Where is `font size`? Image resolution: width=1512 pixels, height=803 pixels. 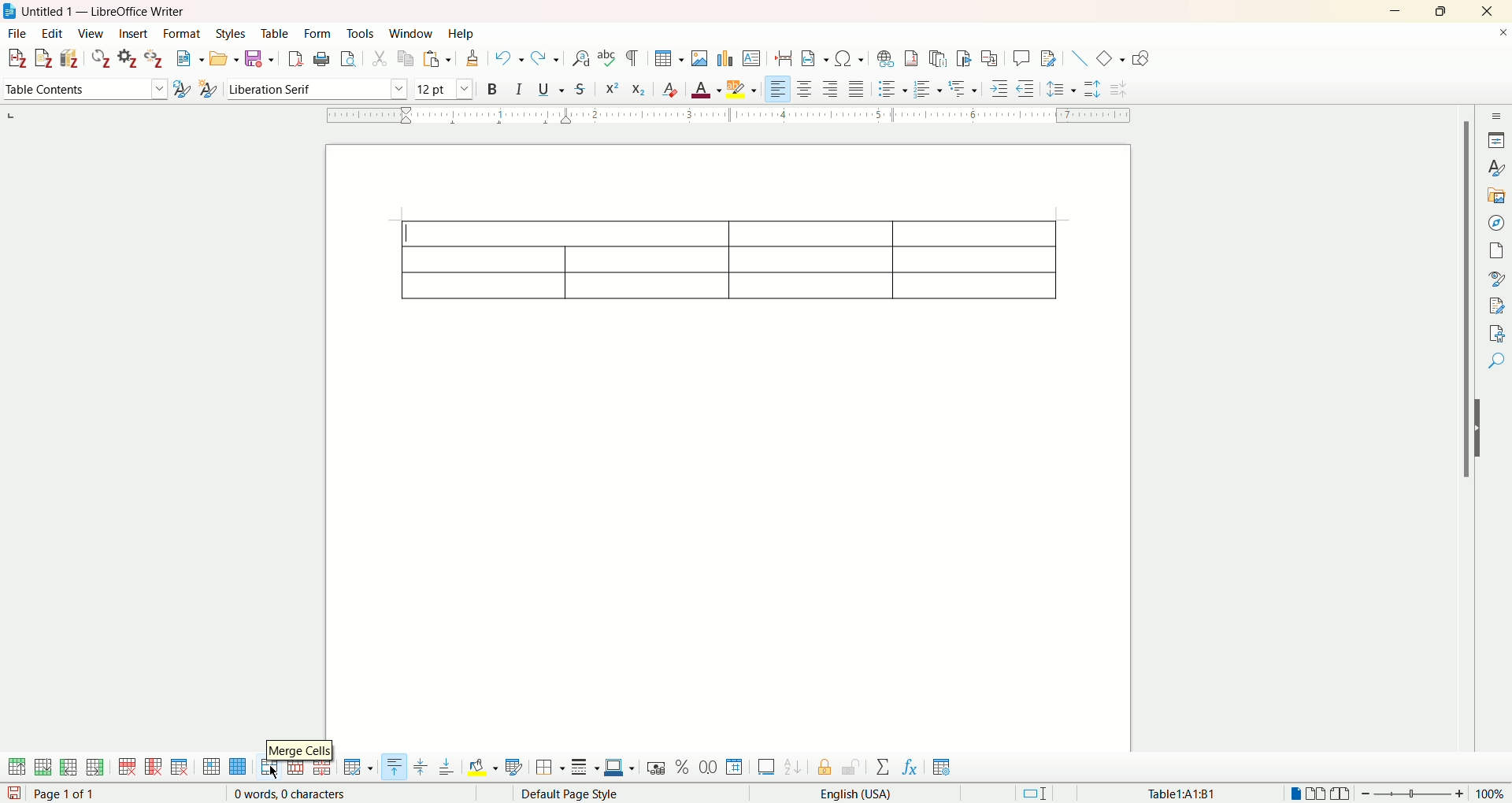
font size is located at coordinates (443, 91).